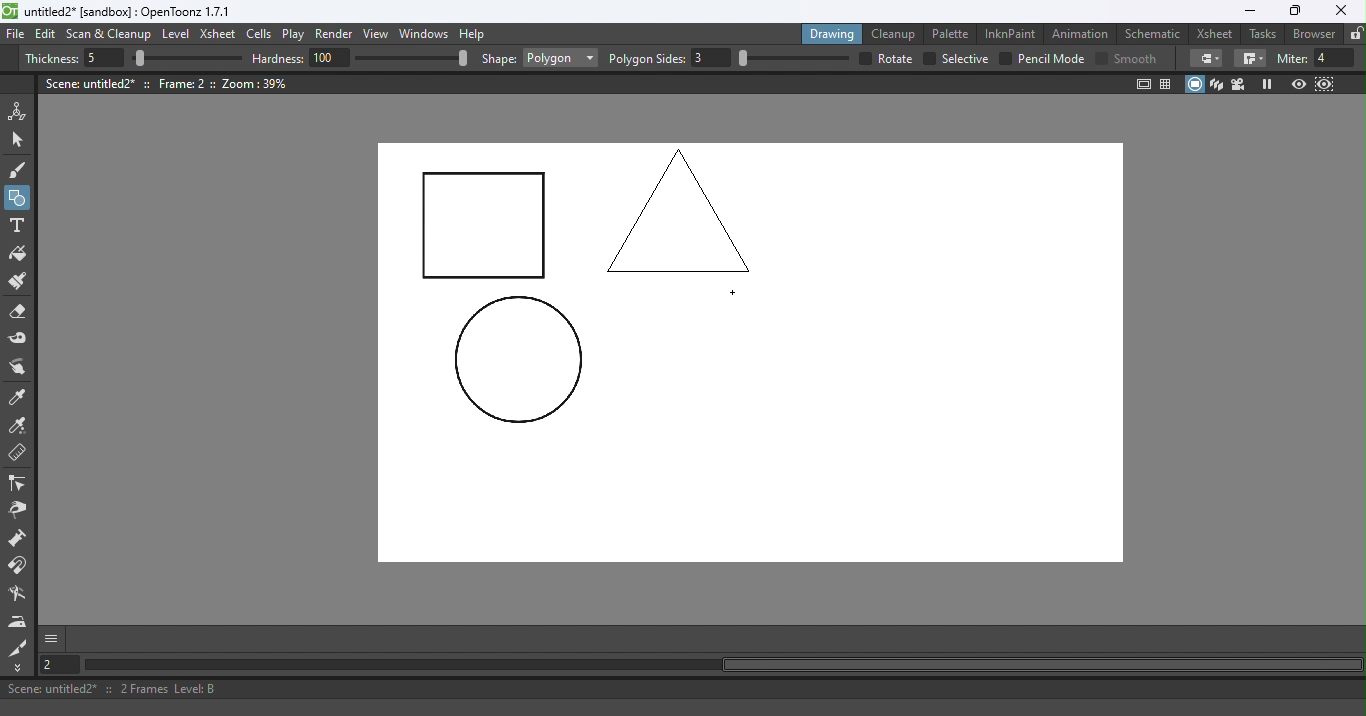  What do you see at coordinates (57, 664) in the screenshot?
I see `Set the current frame` at bounding box center [57, 664].